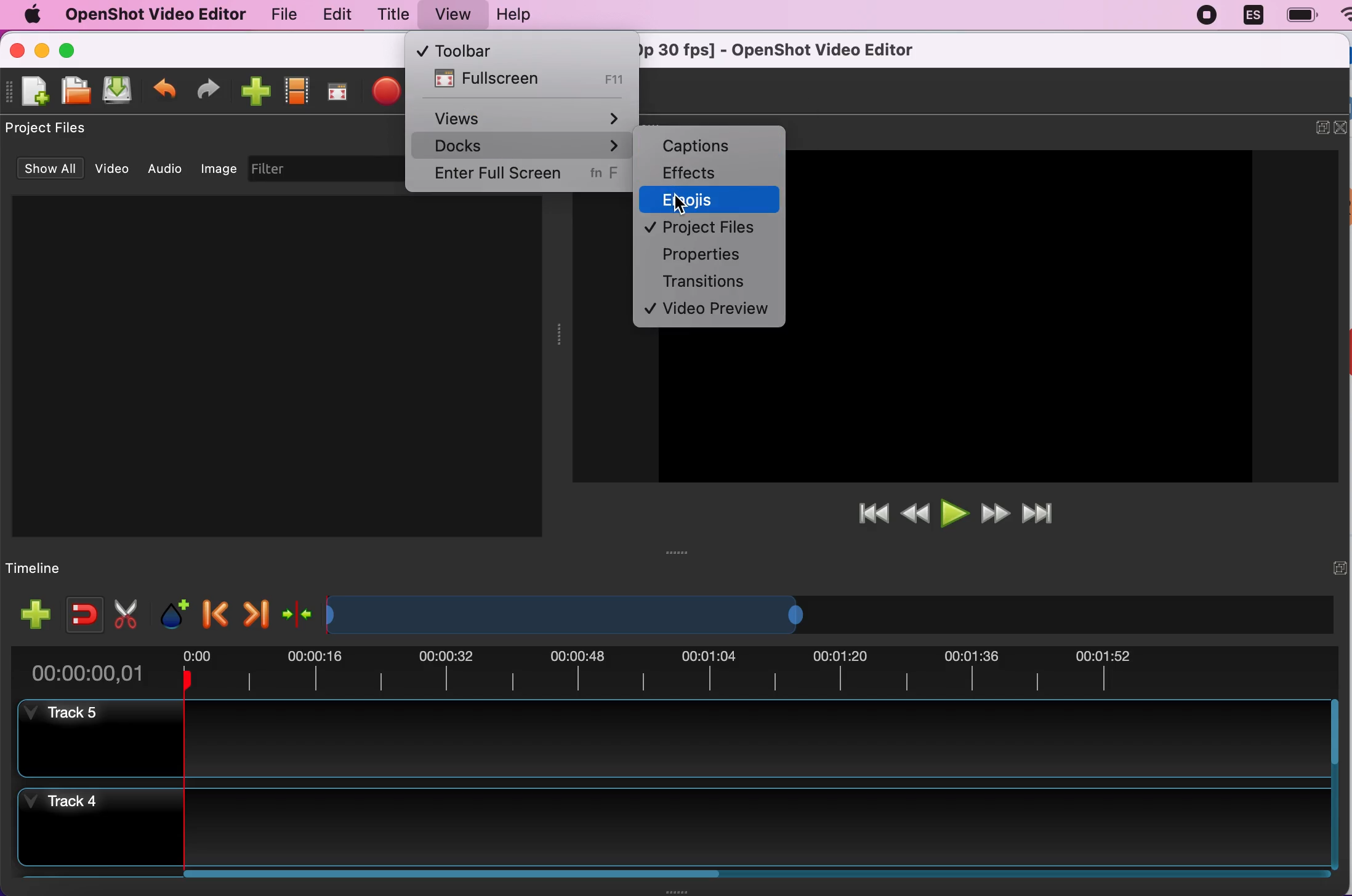 The height and width of the screenshot is (896, 1352). I want to click on choose profiles, so click(297, 91).